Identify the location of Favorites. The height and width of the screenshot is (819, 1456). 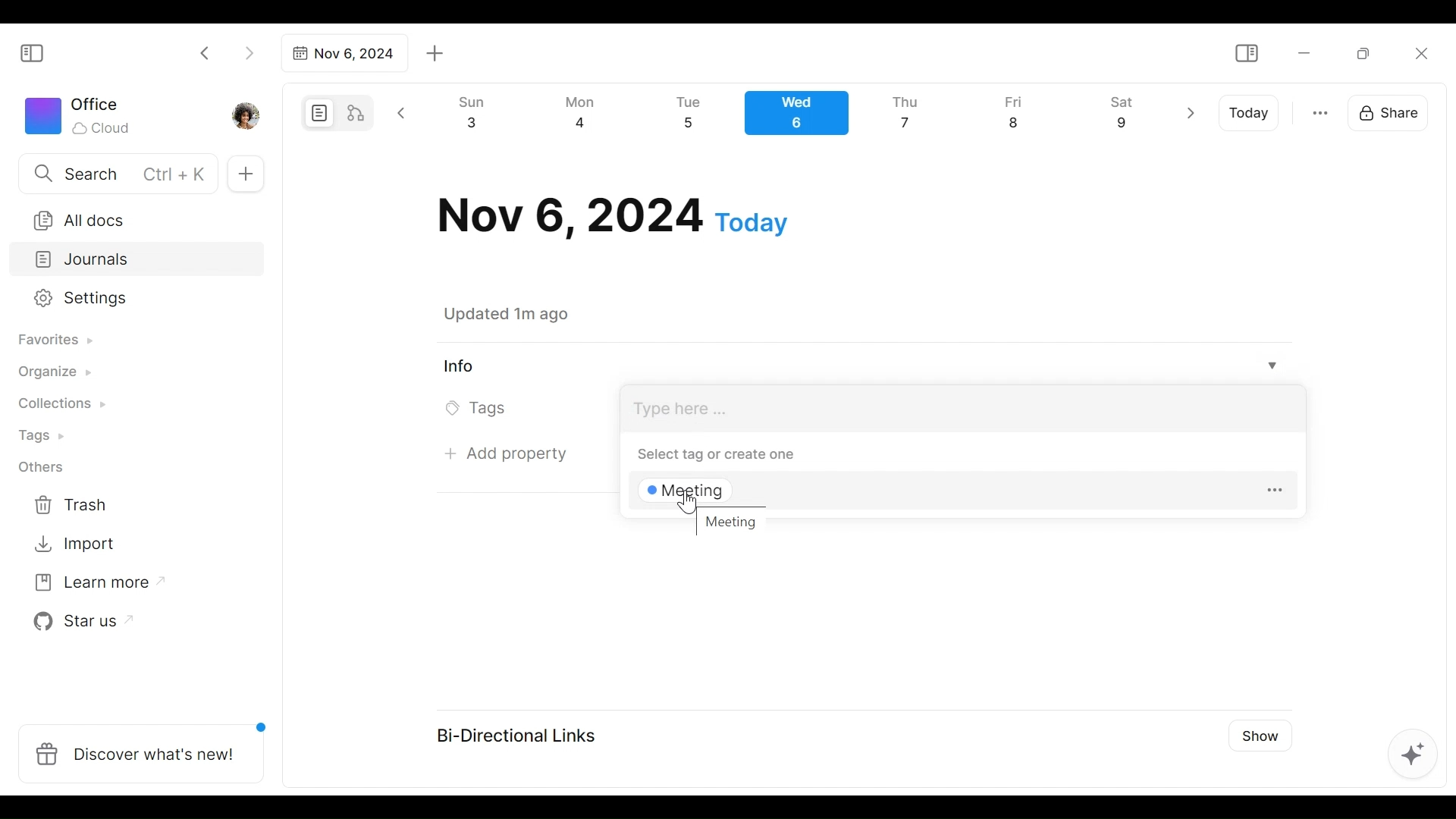
(54, 340).